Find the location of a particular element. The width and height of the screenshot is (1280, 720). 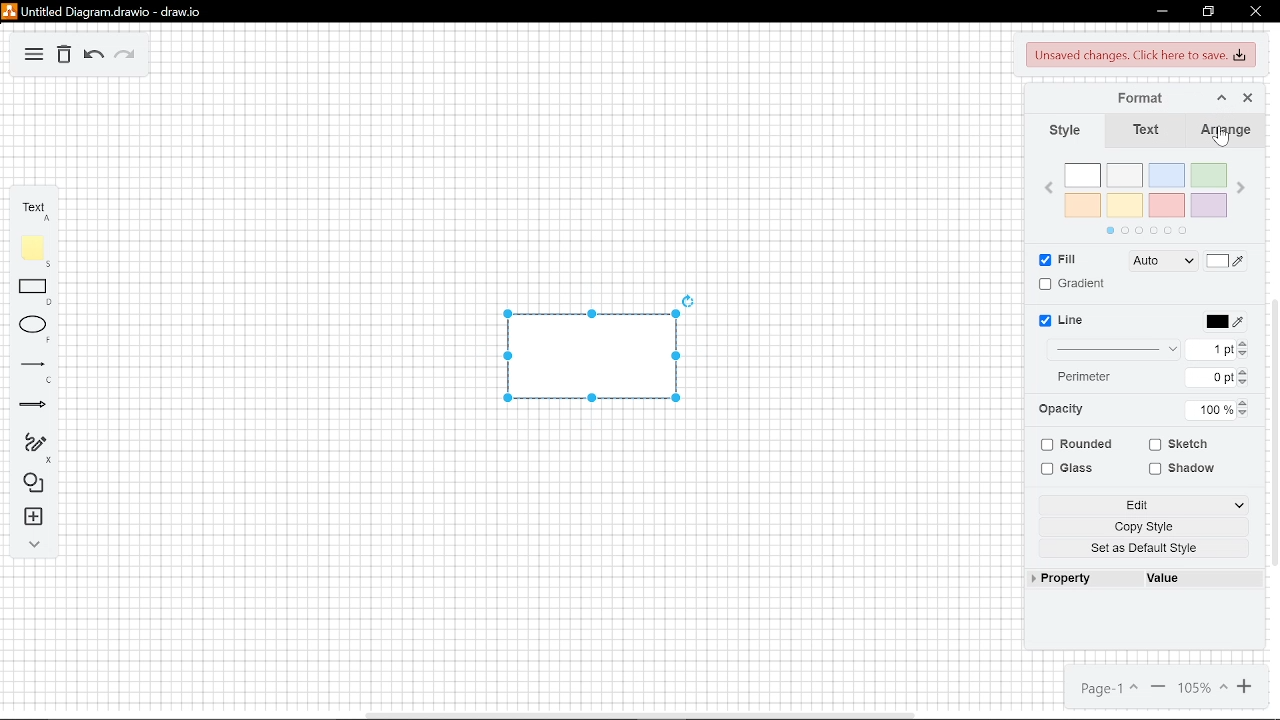

restore down is located at coordinates (1206, 13).